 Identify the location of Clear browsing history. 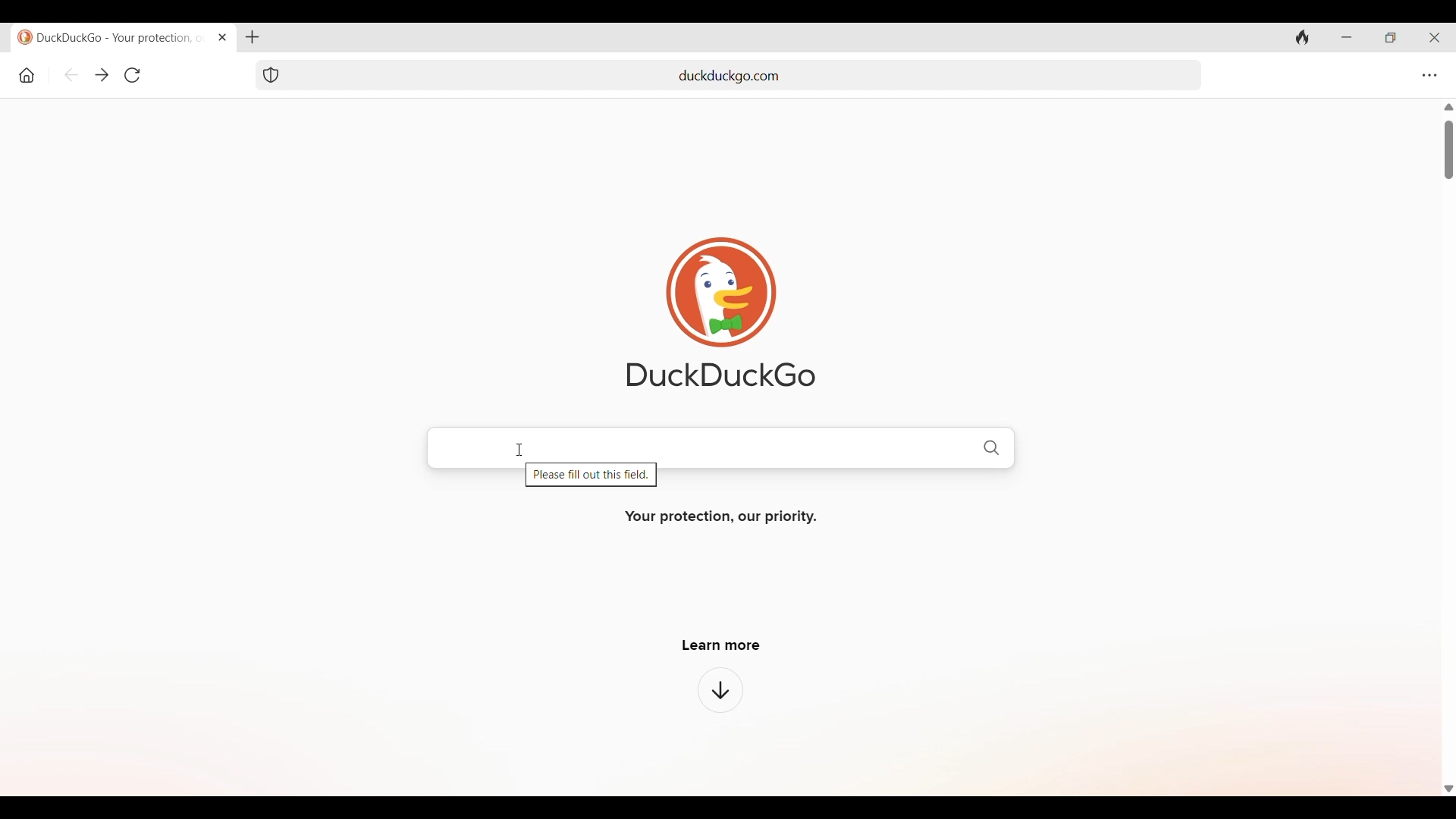
(1302, 37).